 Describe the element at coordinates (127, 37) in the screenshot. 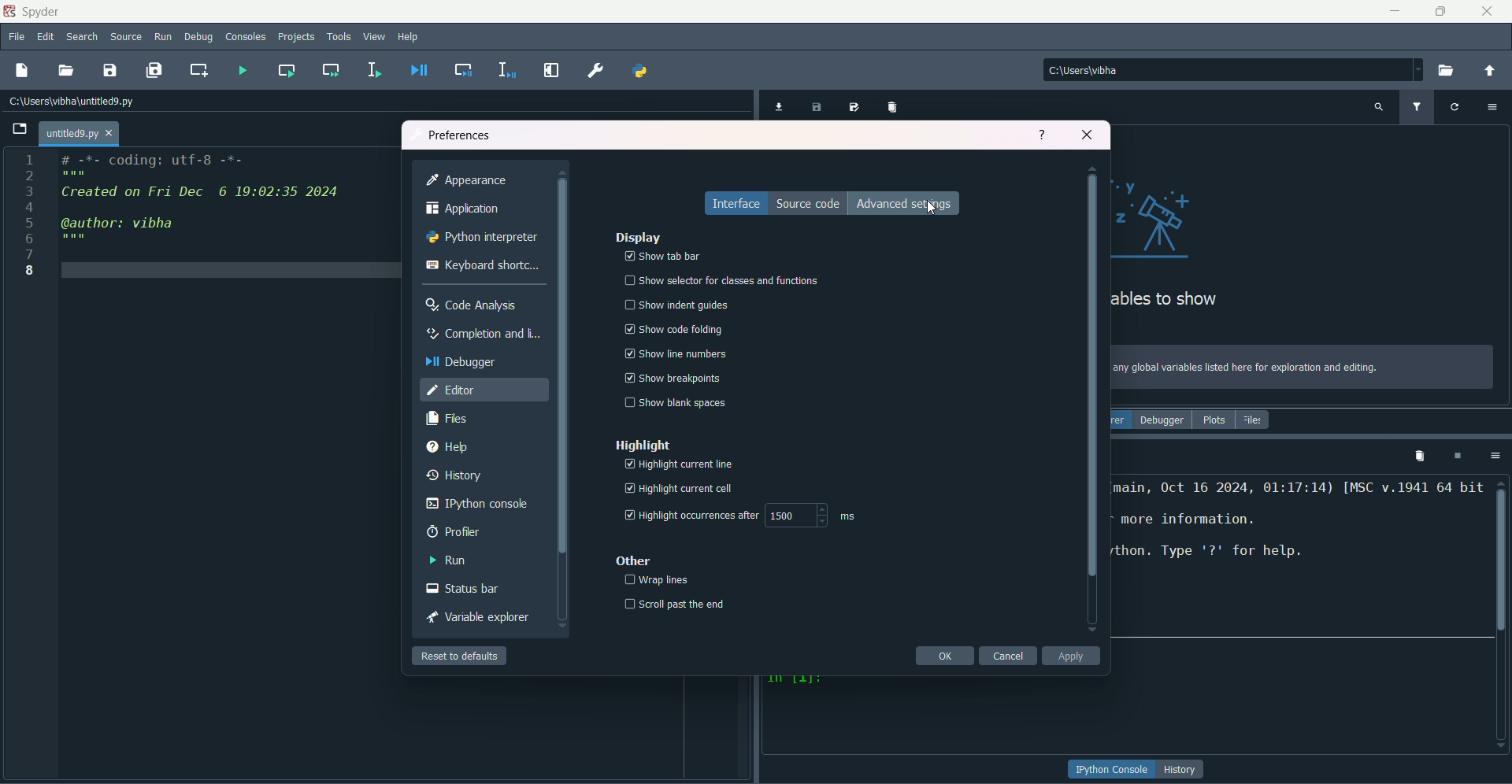

I see `source` at that location.